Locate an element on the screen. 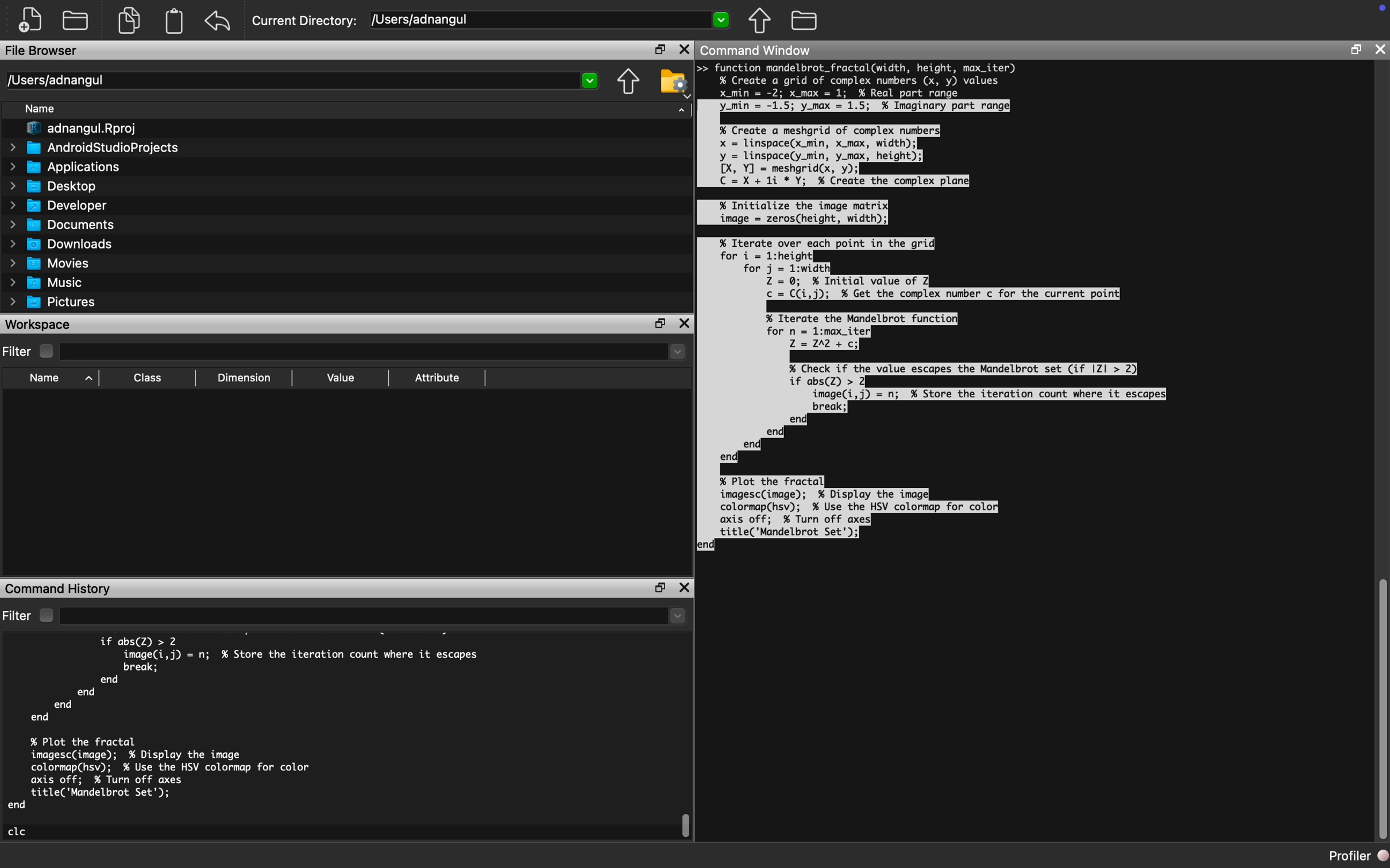 The image size is (1390, 868). Command History is located at coordinates (61, 588).